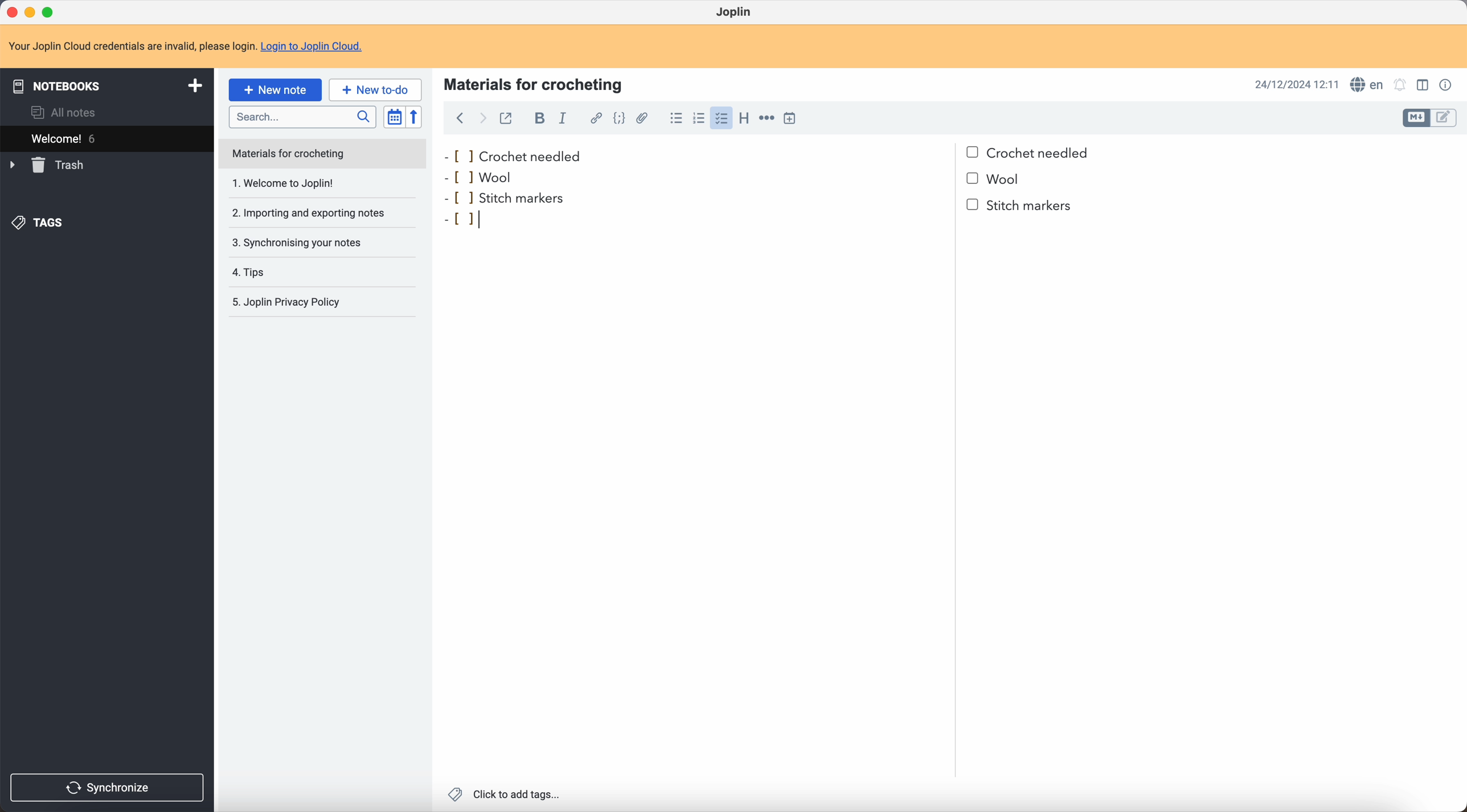 Image resolution: width=1467 pixels, height=812 pixels. I want to click on attach file, so click(645, 118).